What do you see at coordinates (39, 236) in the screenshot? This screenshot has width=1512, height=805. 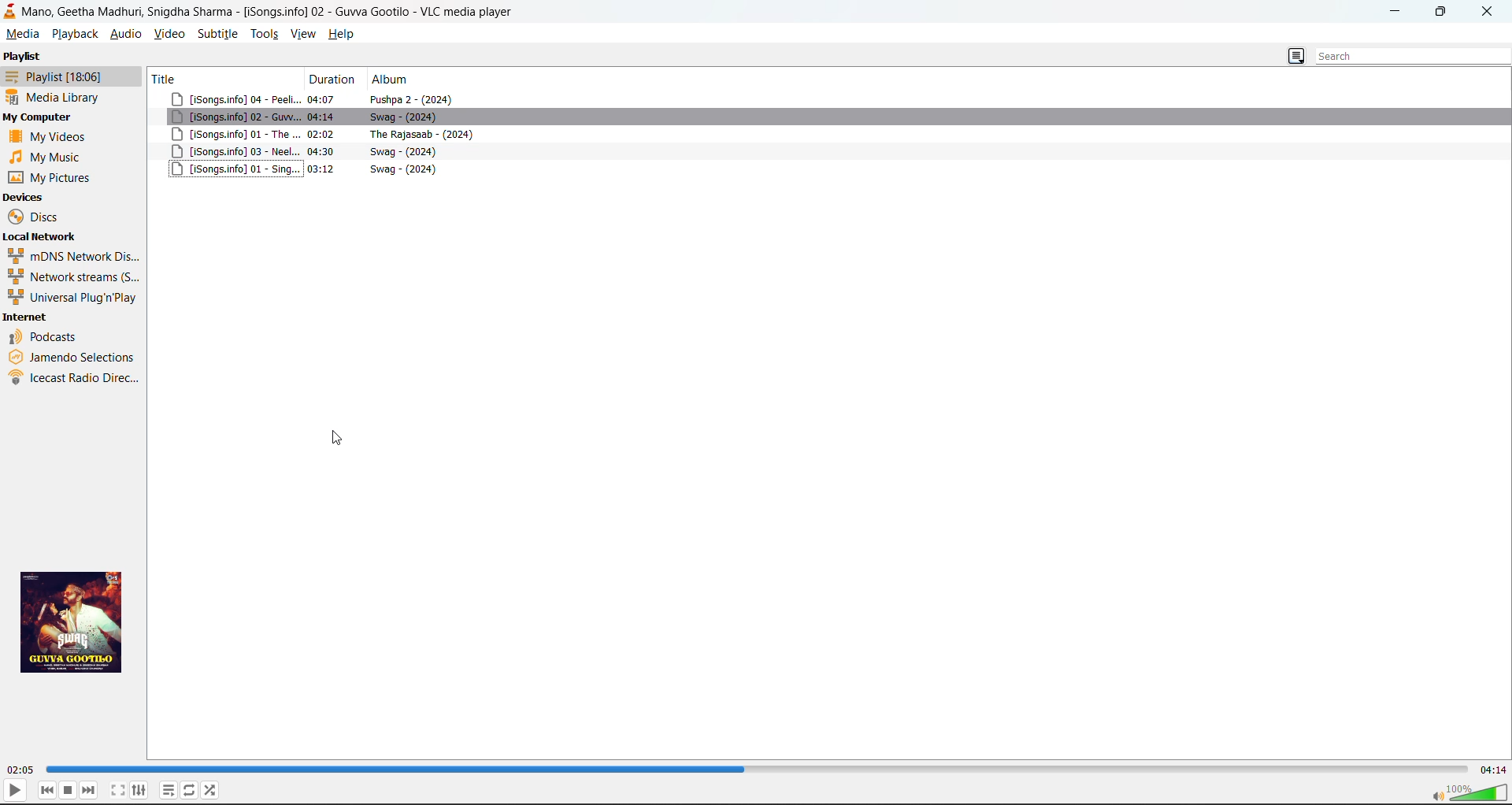 I see `local network` at bounding box center [39, 236].